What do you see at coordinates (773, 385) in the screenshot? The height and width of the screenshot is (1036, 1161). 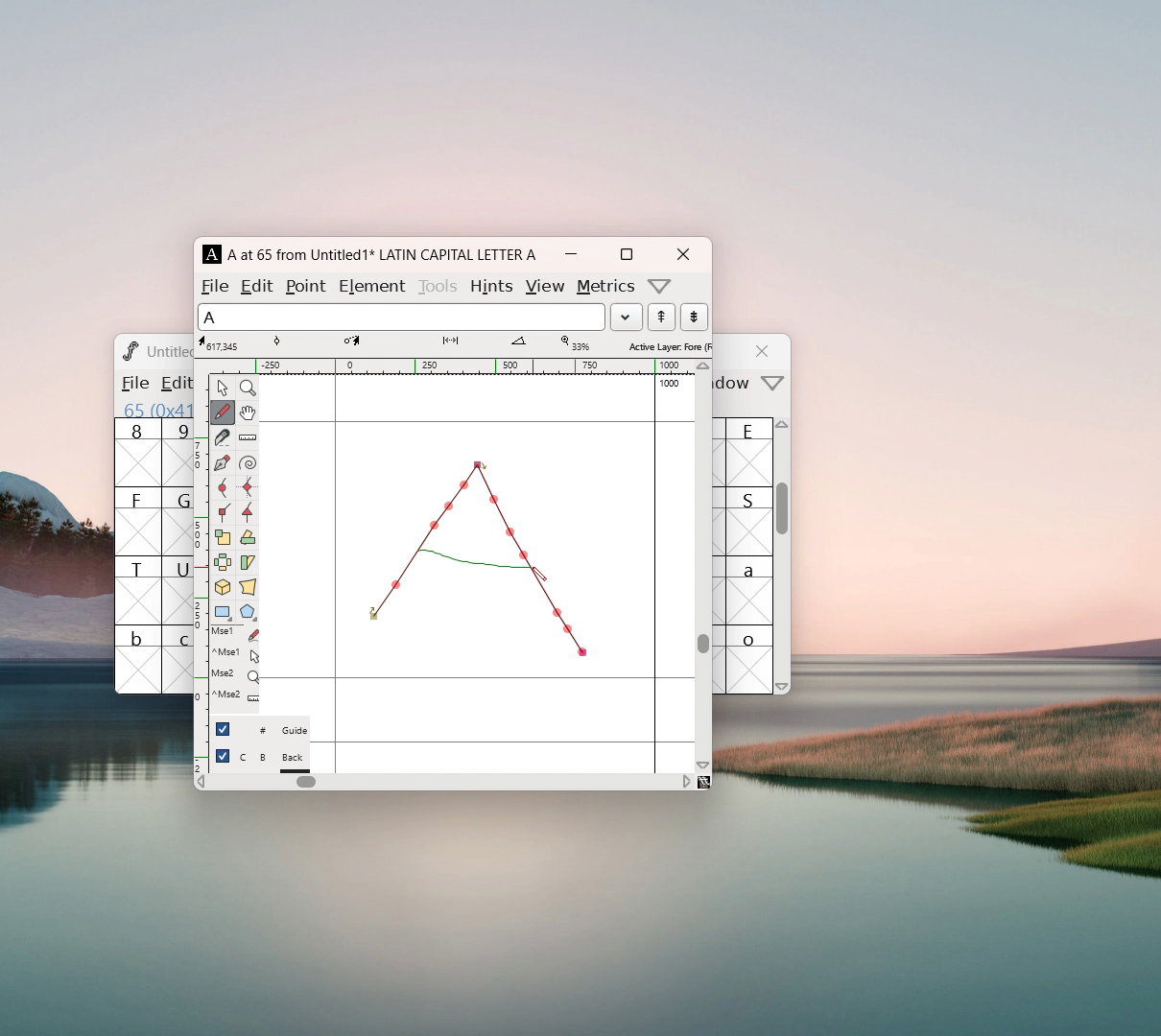 I see `more options` at bounding box center [773, 385].